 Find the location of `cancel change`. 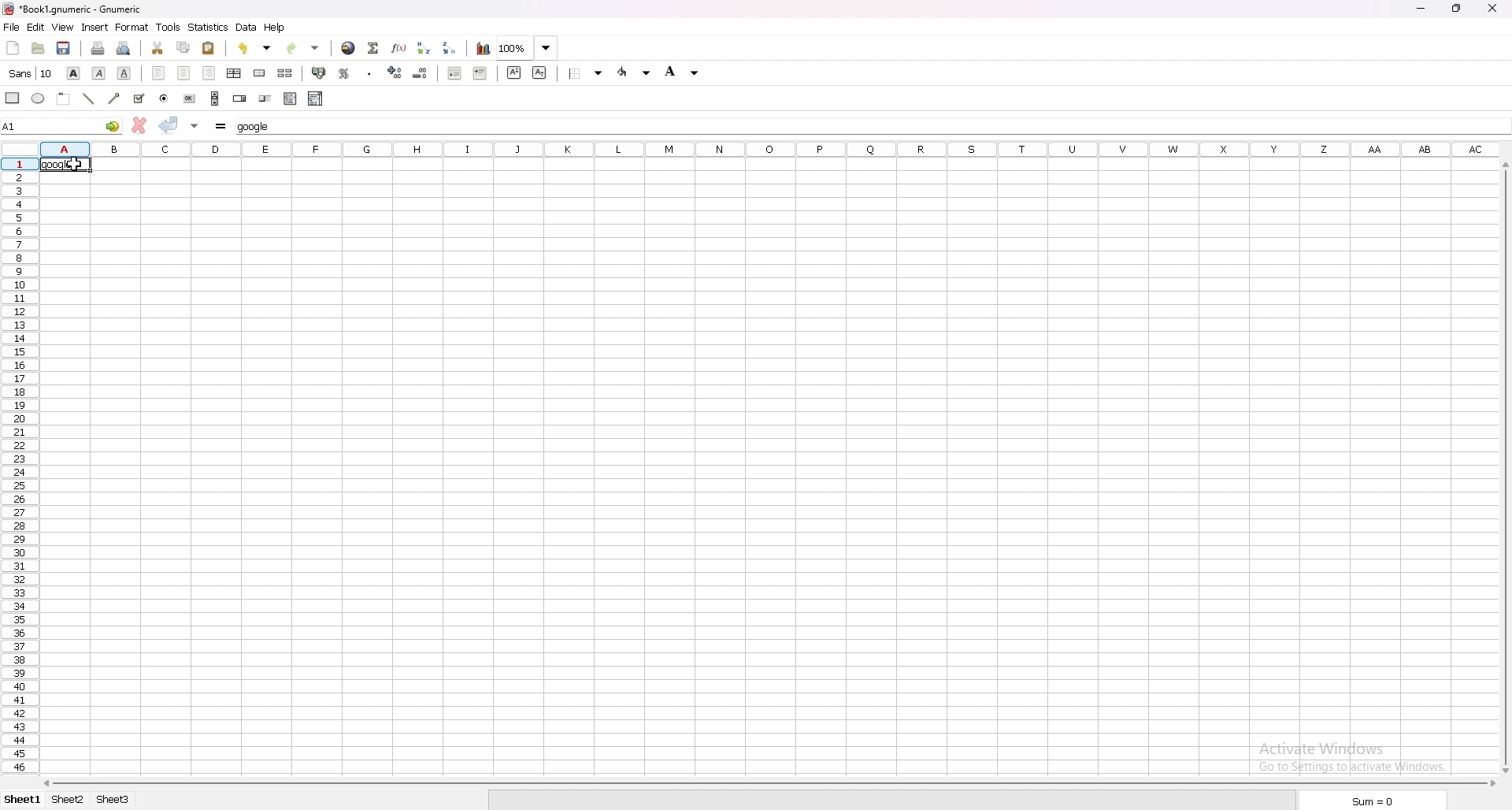

cancel change is located at coordinates (139, 125).